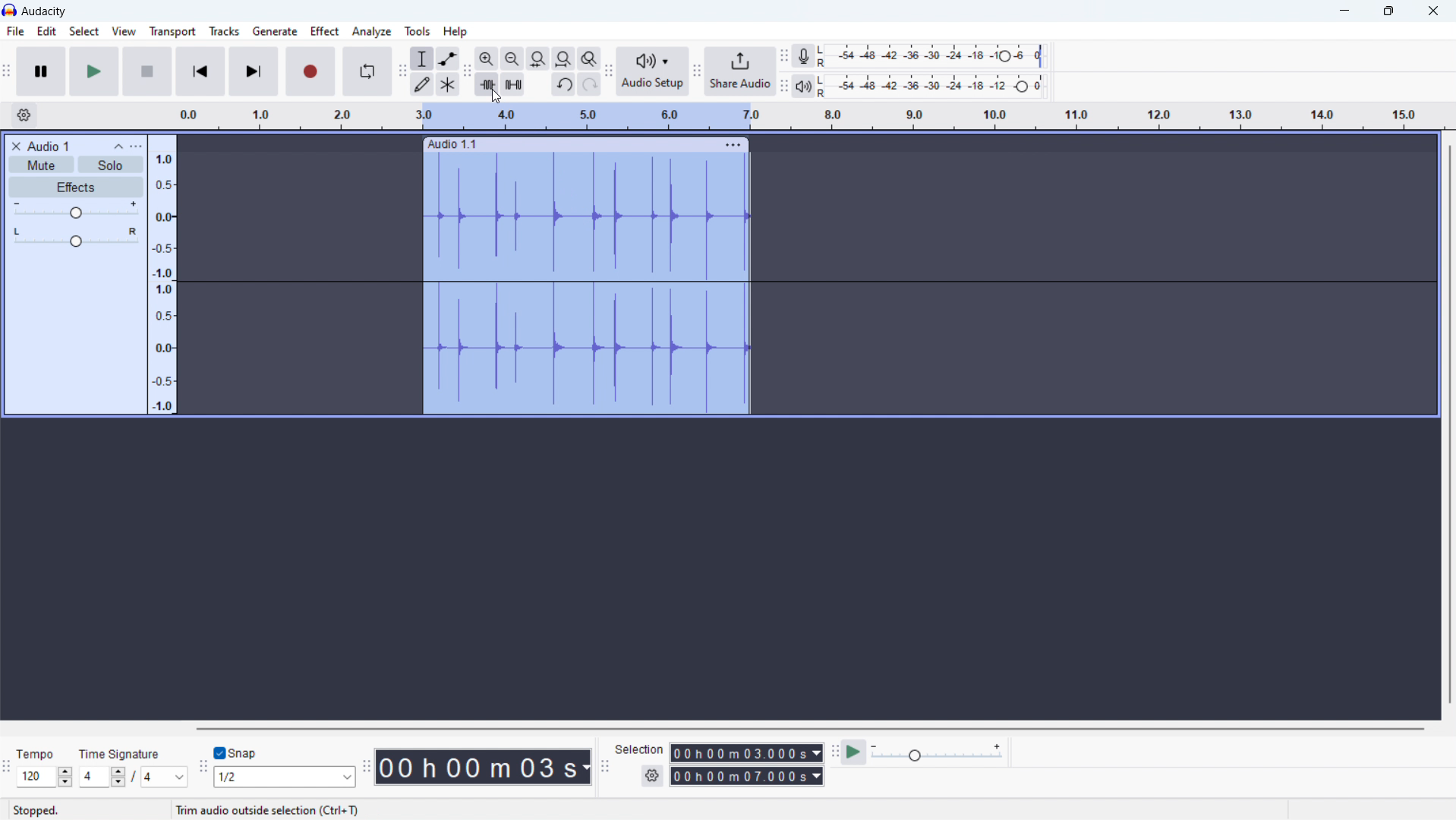  What do you see at coordinates (39, 752) in the screenshot?
I see `Tempo` at bounding box center [39, 752].